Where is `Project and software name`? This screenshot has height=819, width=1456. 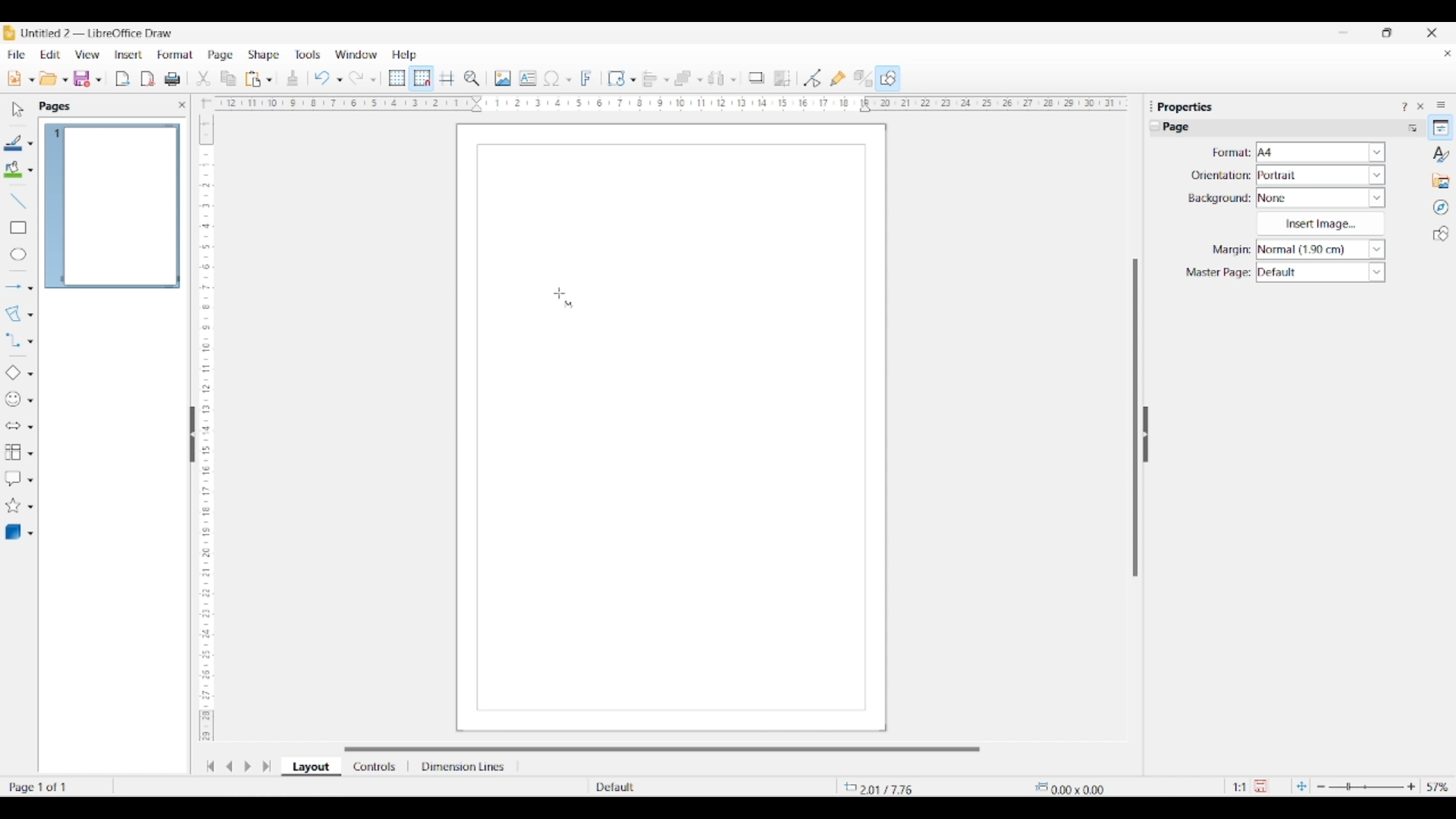 Project and software name is located at coordinates (98, 33).